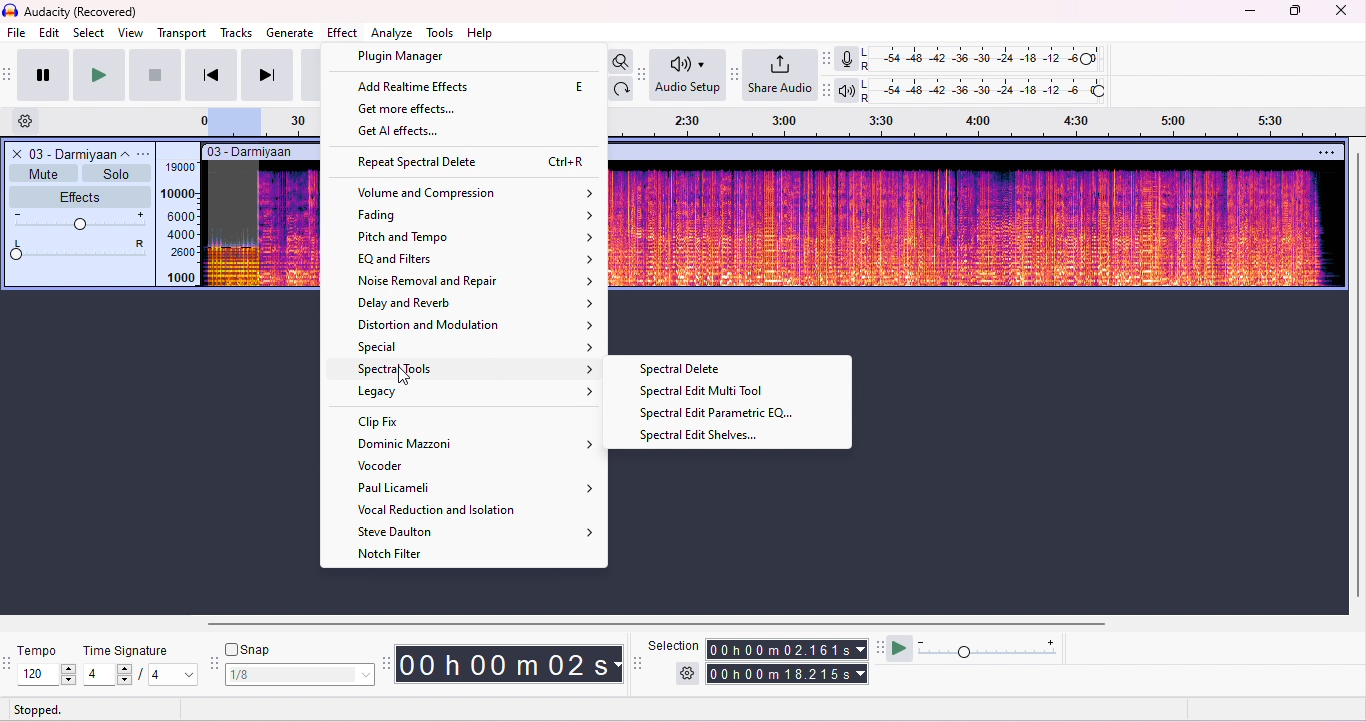 The width and height of the screenshot is (1366, 722). Describe the element at coordinates (215, 661) in the screenshot. I see `snap tool bar` at that location.